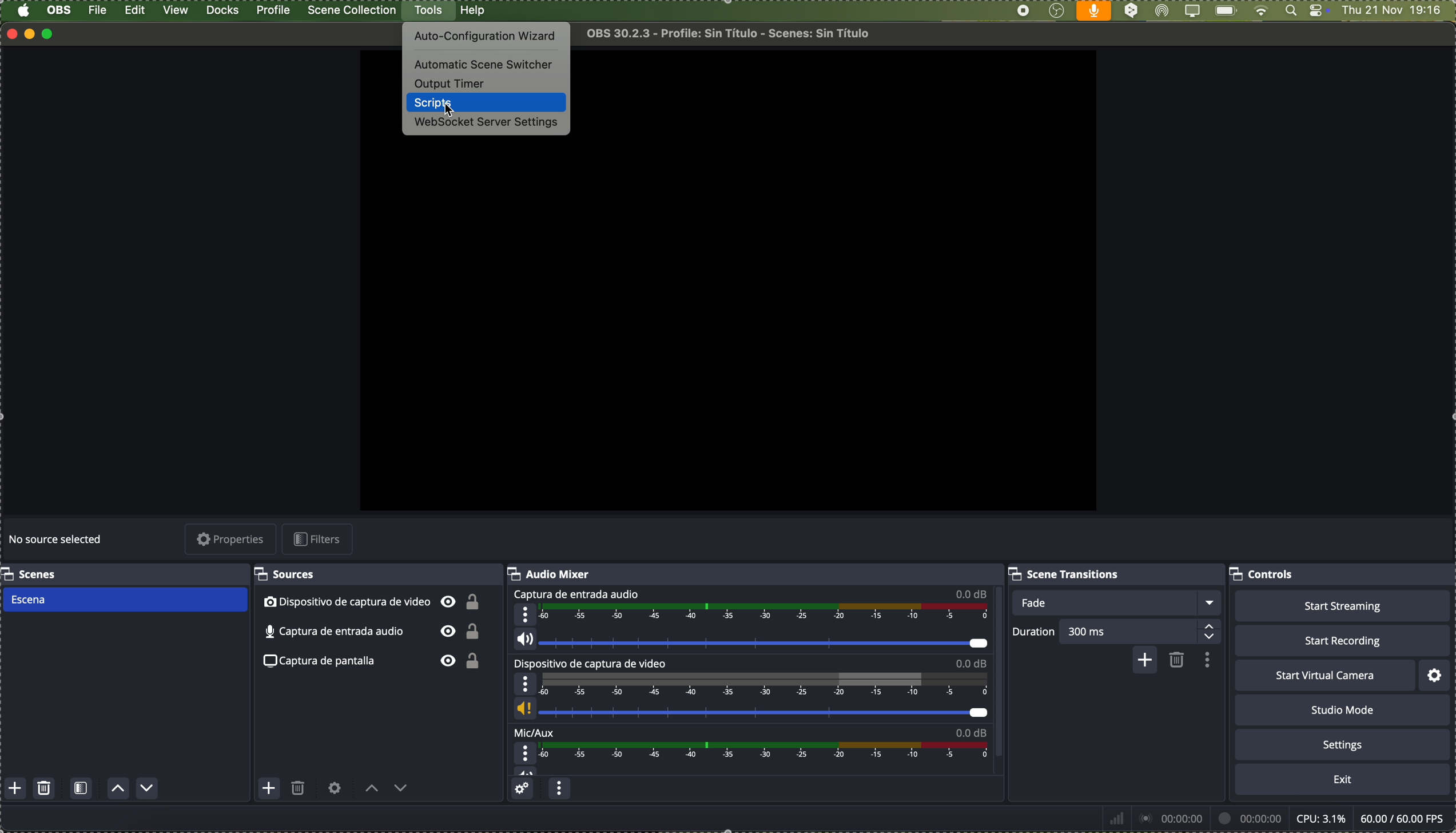  I want to click on cursor, so click(436, 22).